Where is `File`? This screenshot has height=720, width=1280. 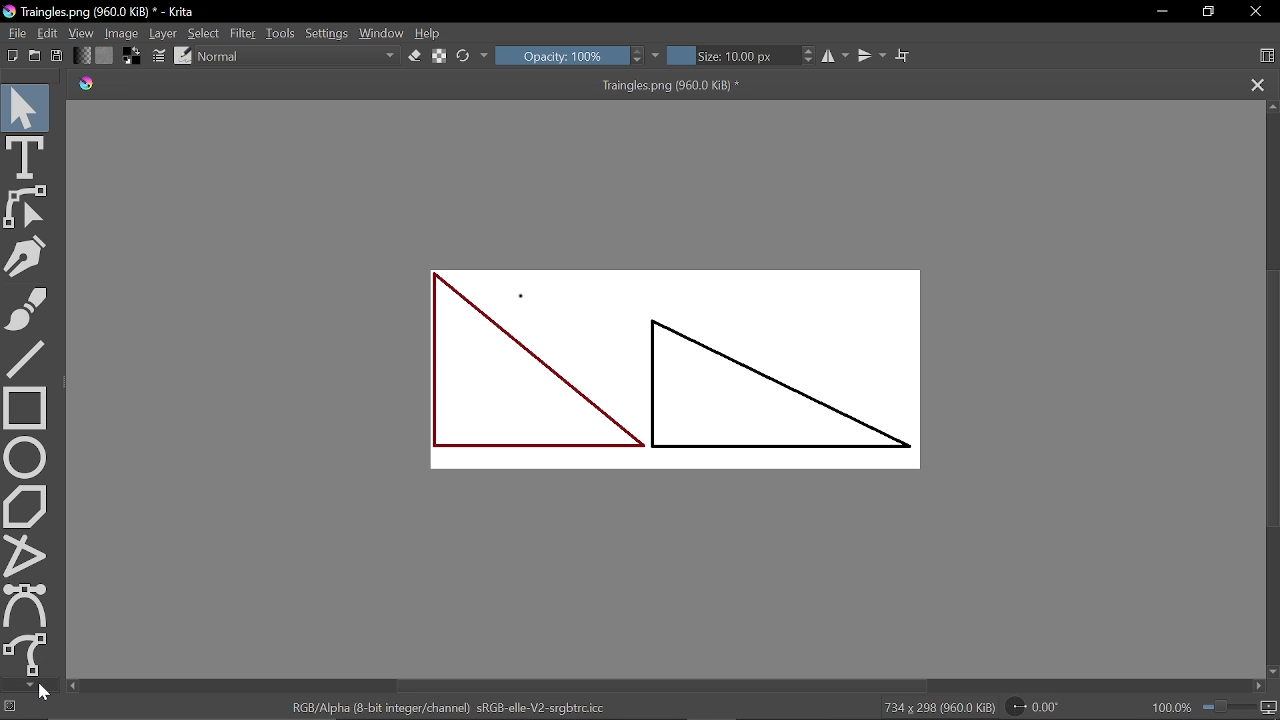
File is located at coordinates (14, 32).